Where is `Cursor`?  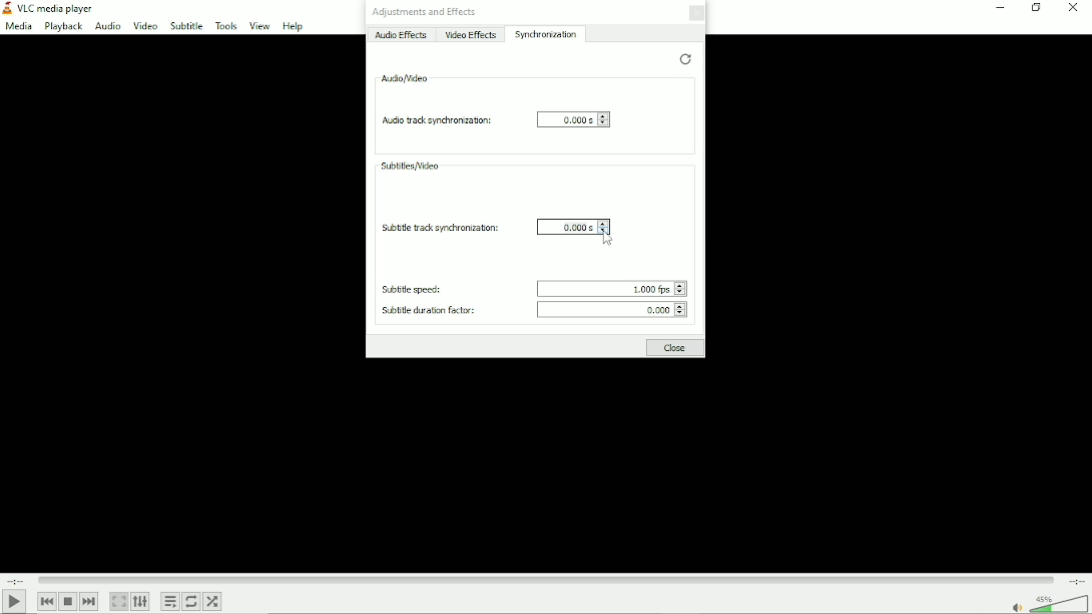 Cursor is located at coordinates (609, 239).